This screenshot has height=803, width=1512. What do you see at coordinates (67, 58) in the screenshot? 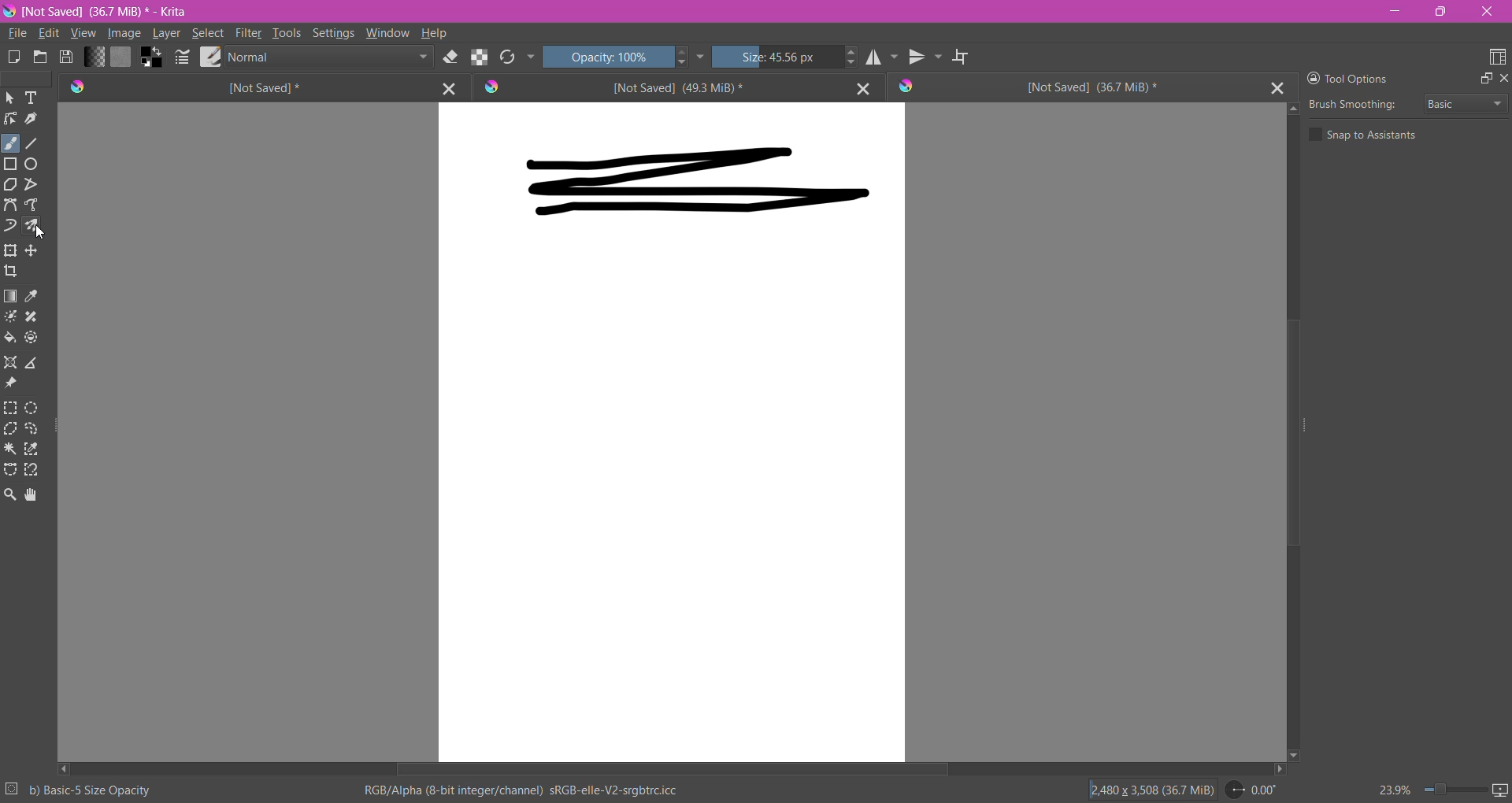
I see `Save` at bounding box center [67, 58].